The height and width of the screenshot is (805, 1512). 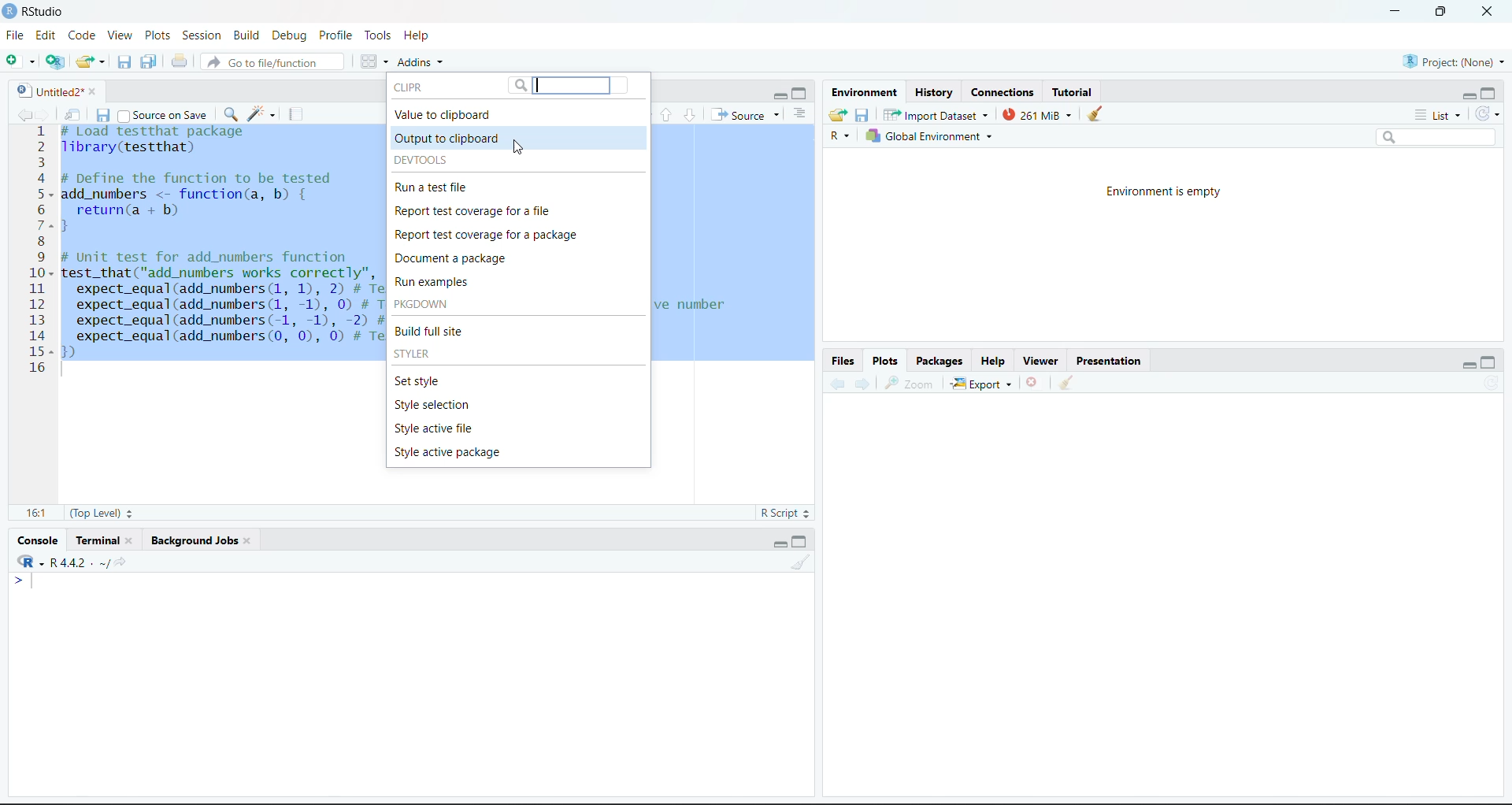 I want to click on library(testthat), so click(x=128, y=147).